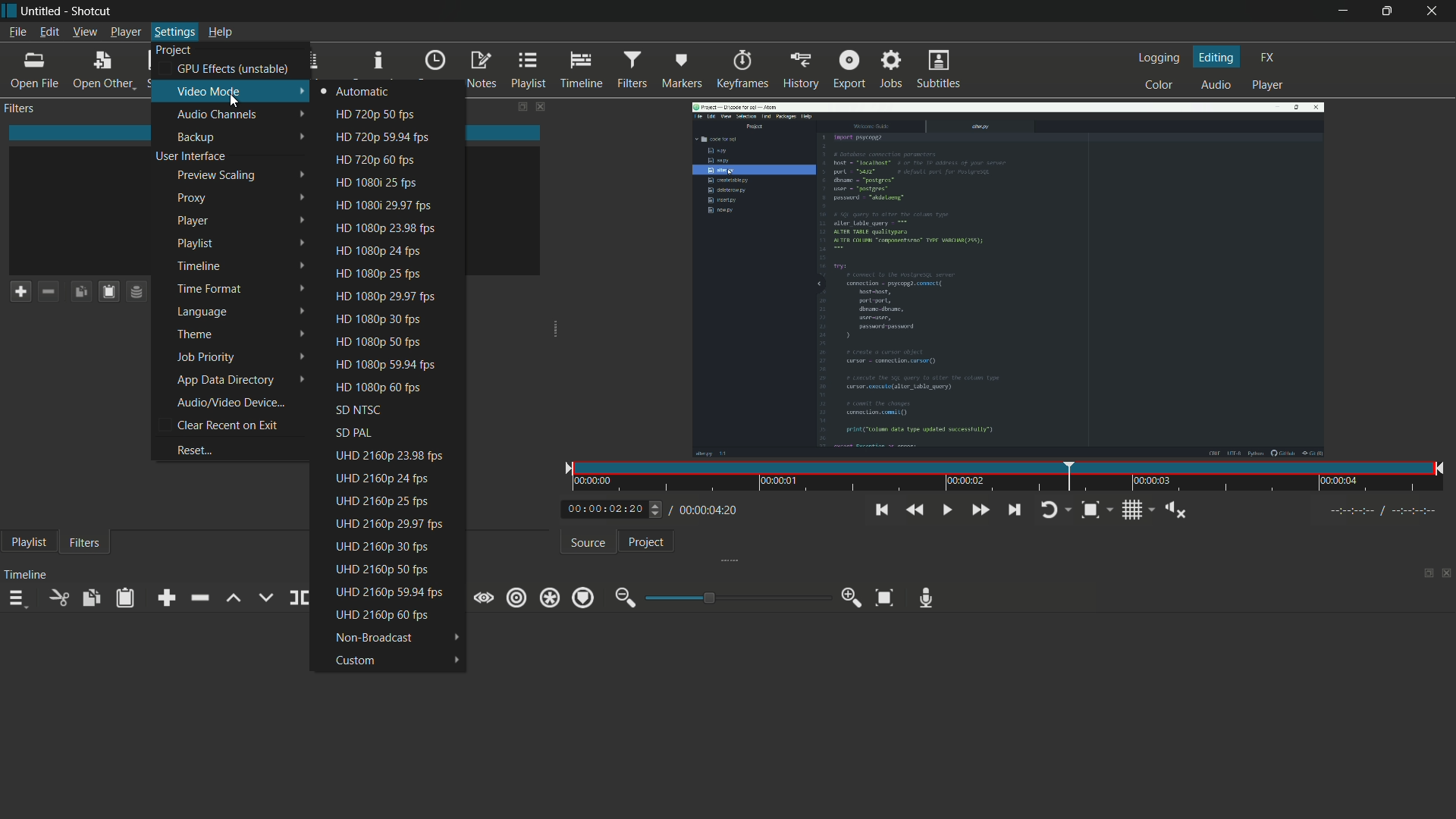 Image resolution: width=1456 pixels, height=819 pixels. I want to click on playlist, so click(529, 70).